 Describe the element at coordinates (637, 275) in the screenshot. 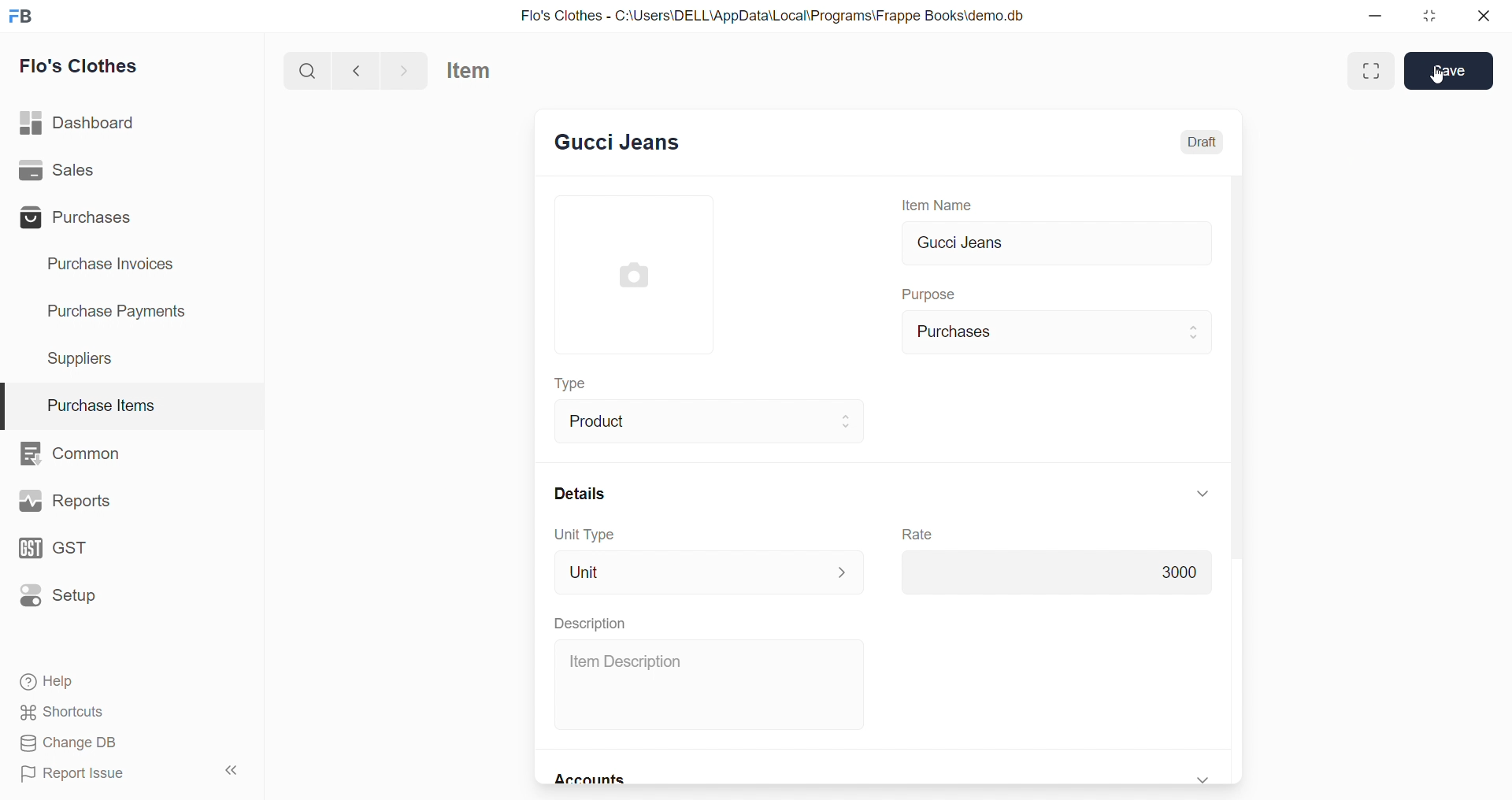

I see `image` at that location.